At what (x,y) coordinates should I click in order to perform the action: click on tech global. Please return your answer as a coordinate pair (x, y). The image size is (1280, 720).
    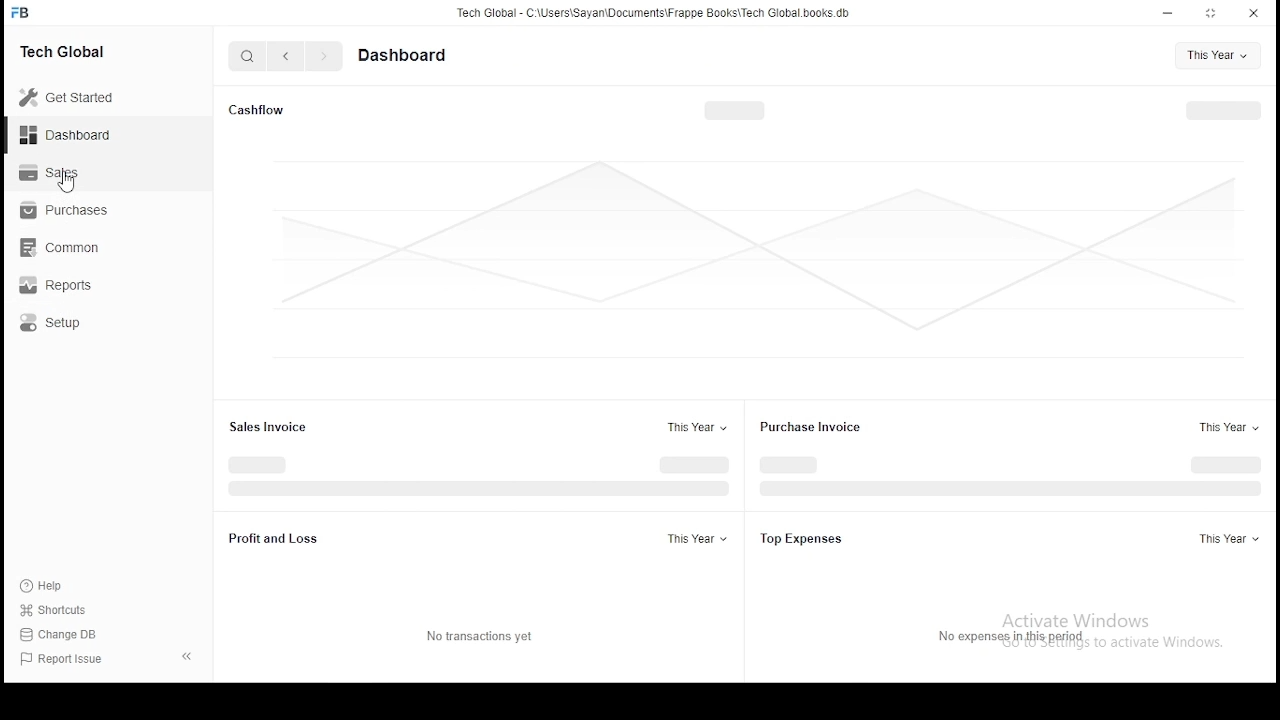
    Looking at the image, I should click on (67, 50).